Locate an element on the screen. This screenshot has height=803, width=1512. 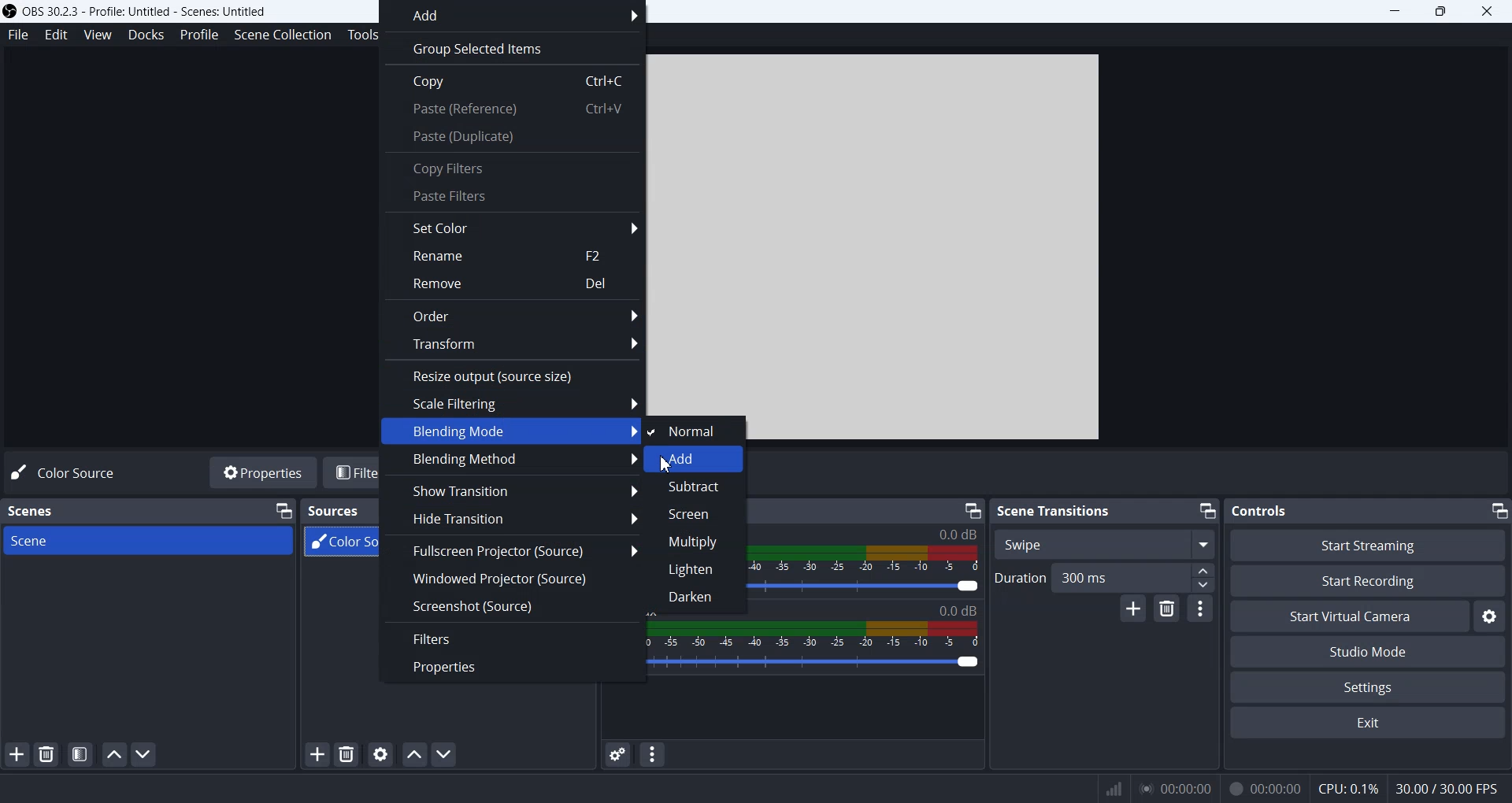
Copy is located at coordinates (513, 80).